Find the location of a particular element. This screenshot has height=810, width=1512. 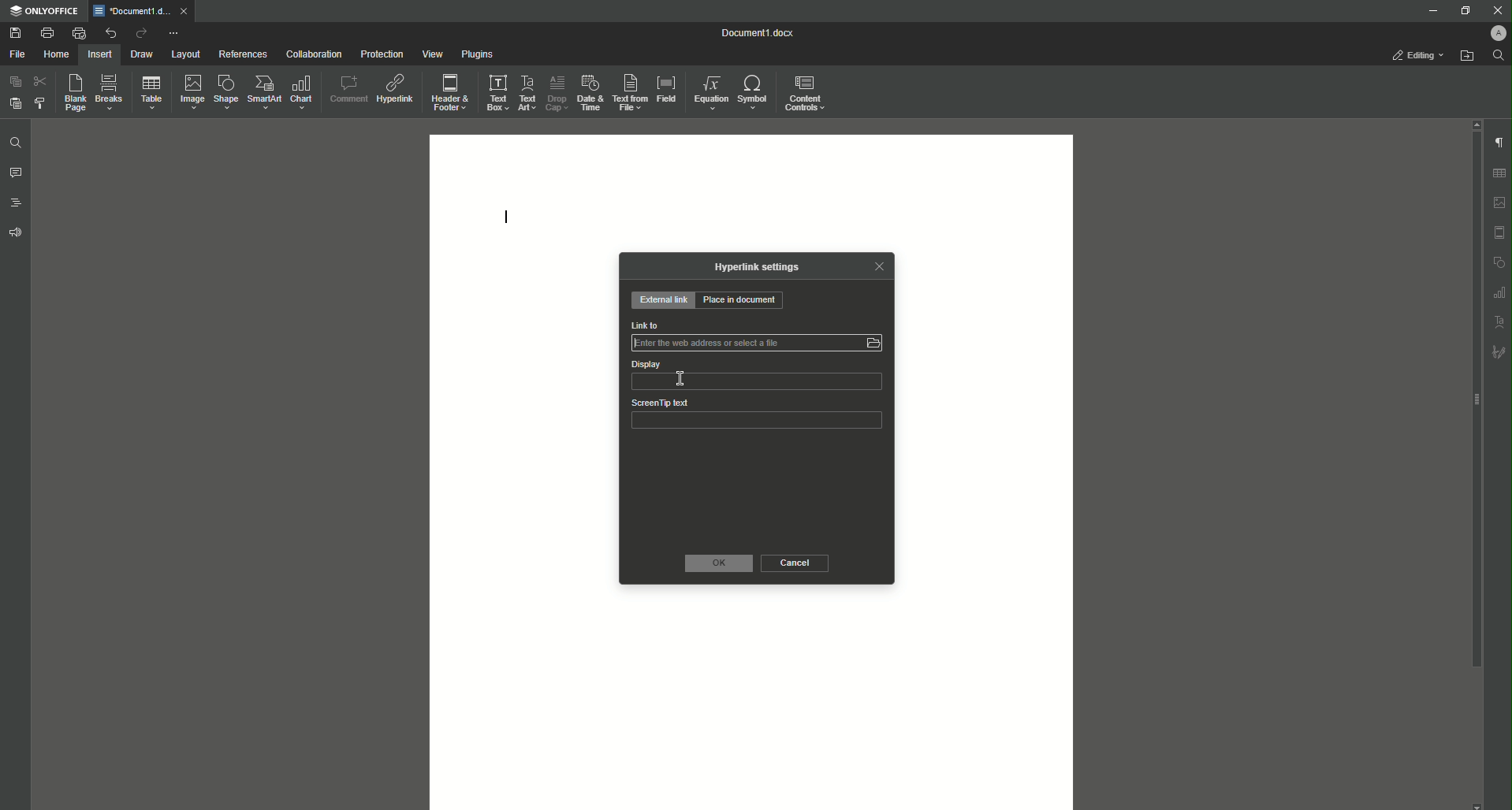

Undo is located at coordinates (110, 32).